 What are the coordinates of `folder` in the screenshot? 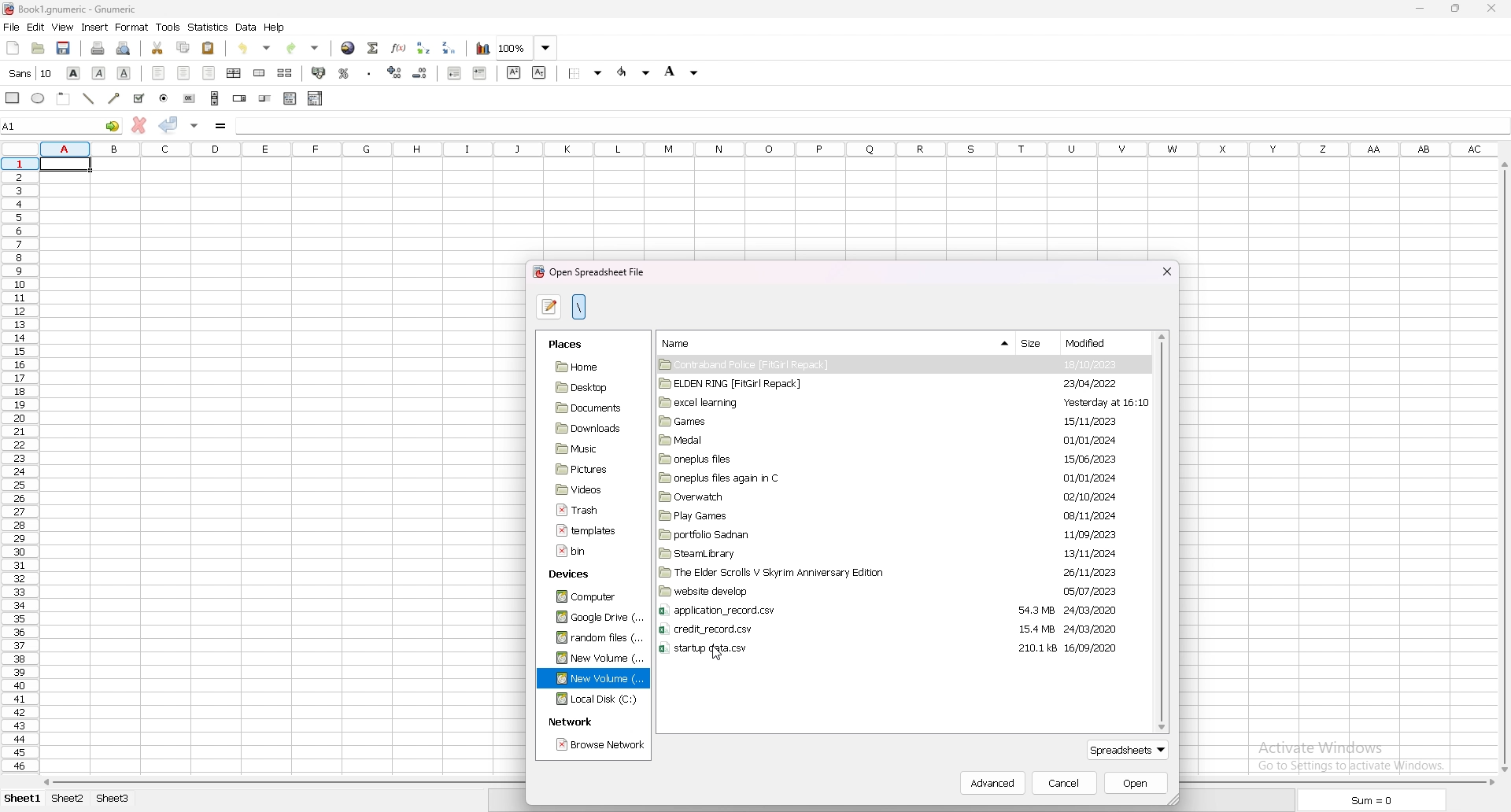 It's located at (800, 458).